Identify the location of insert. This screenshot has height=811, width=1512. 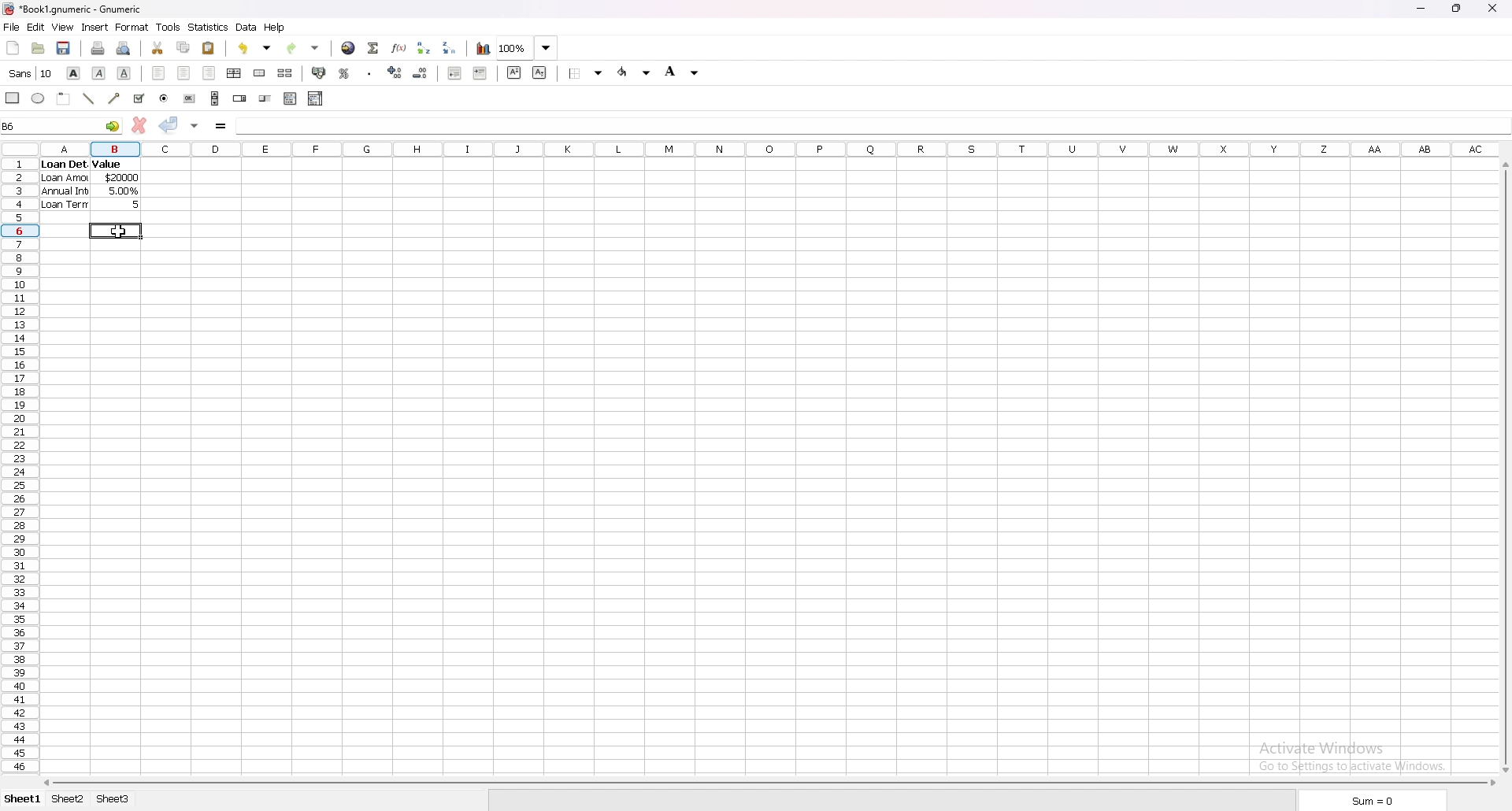
(95, 28).